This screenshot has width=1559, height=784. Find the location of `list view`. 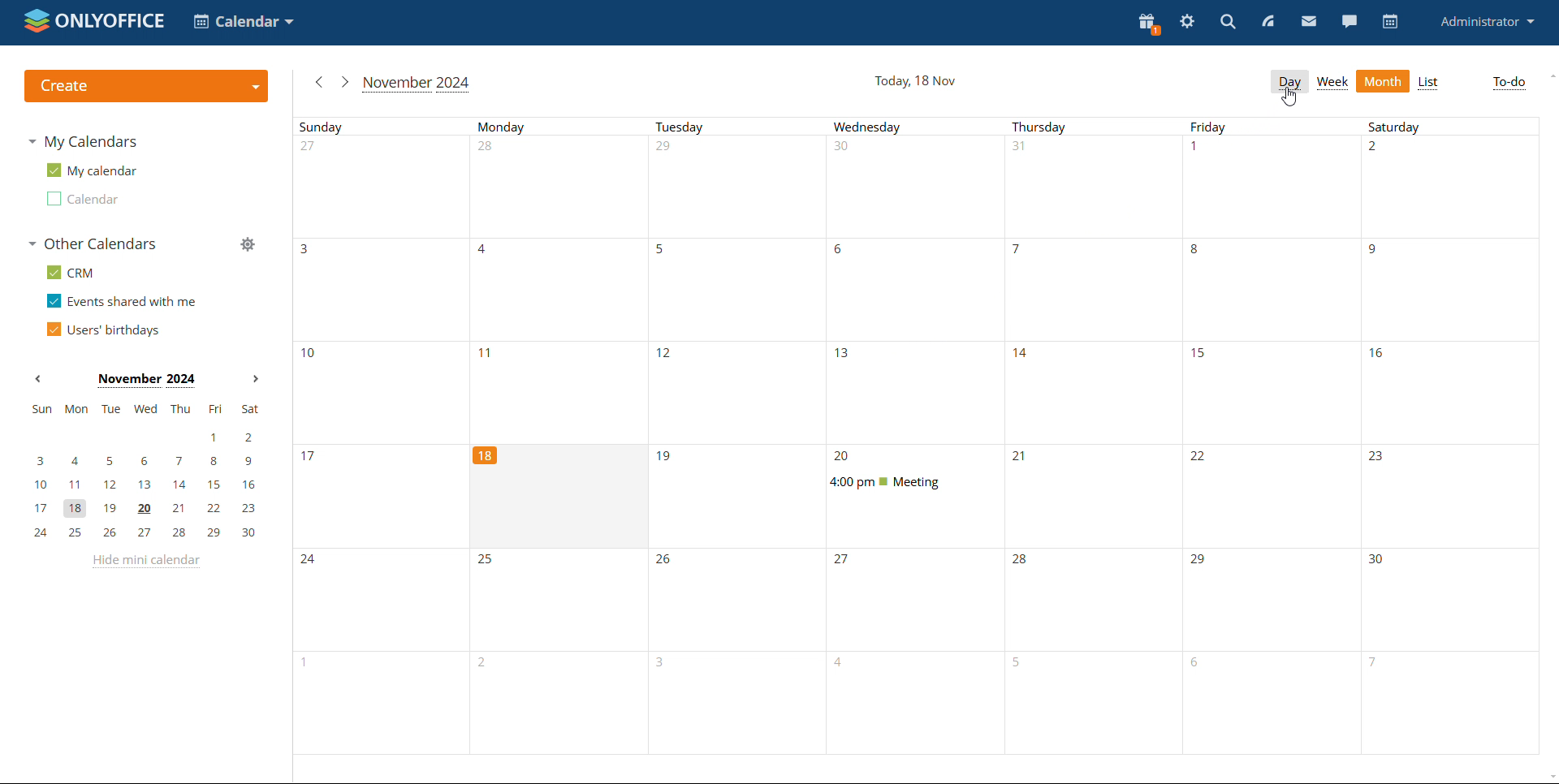

list view is located at coordinates (1429, 83).